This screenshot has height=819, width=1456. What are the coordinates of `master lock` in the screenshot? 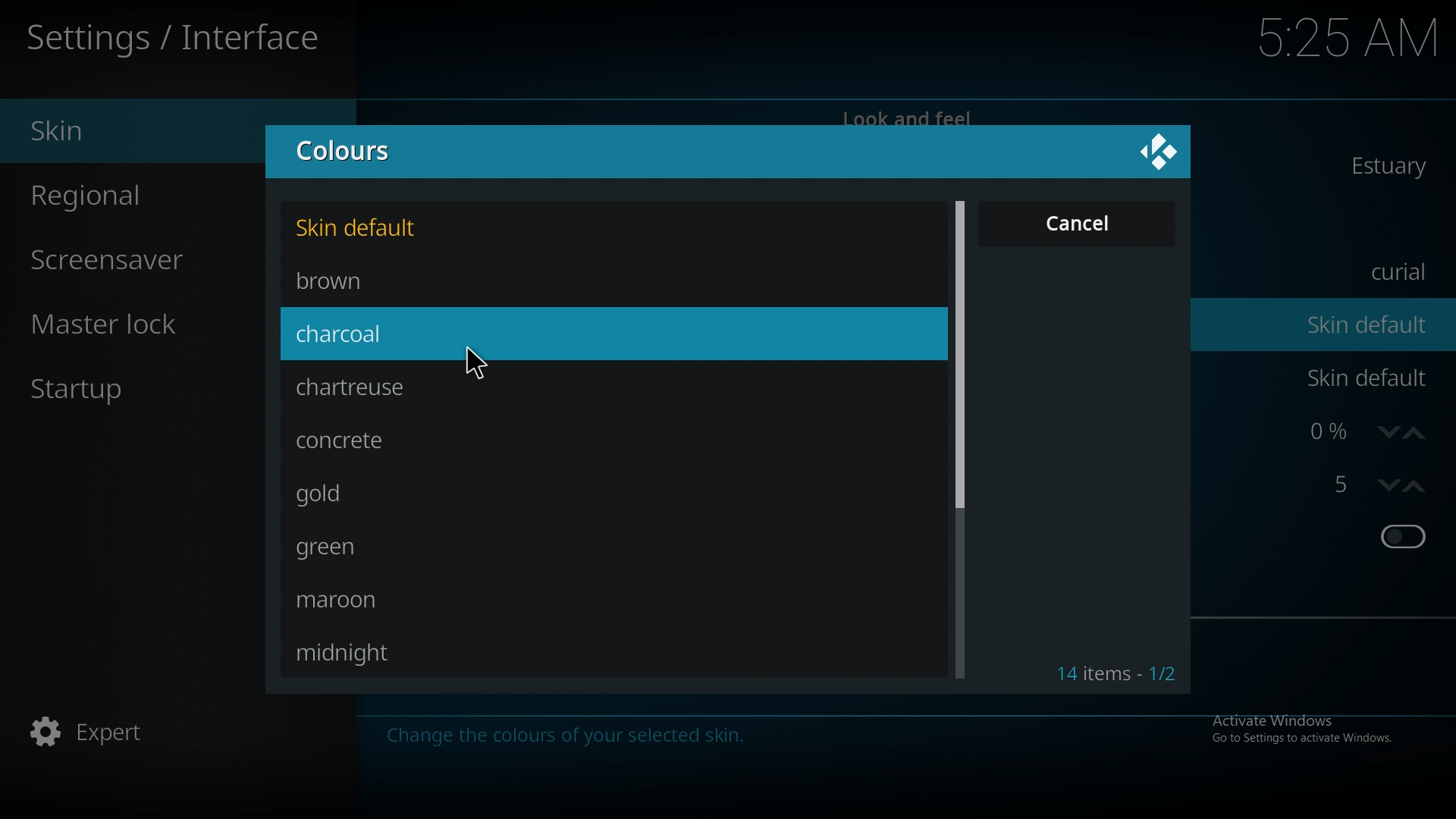 It's located at (134, 324).